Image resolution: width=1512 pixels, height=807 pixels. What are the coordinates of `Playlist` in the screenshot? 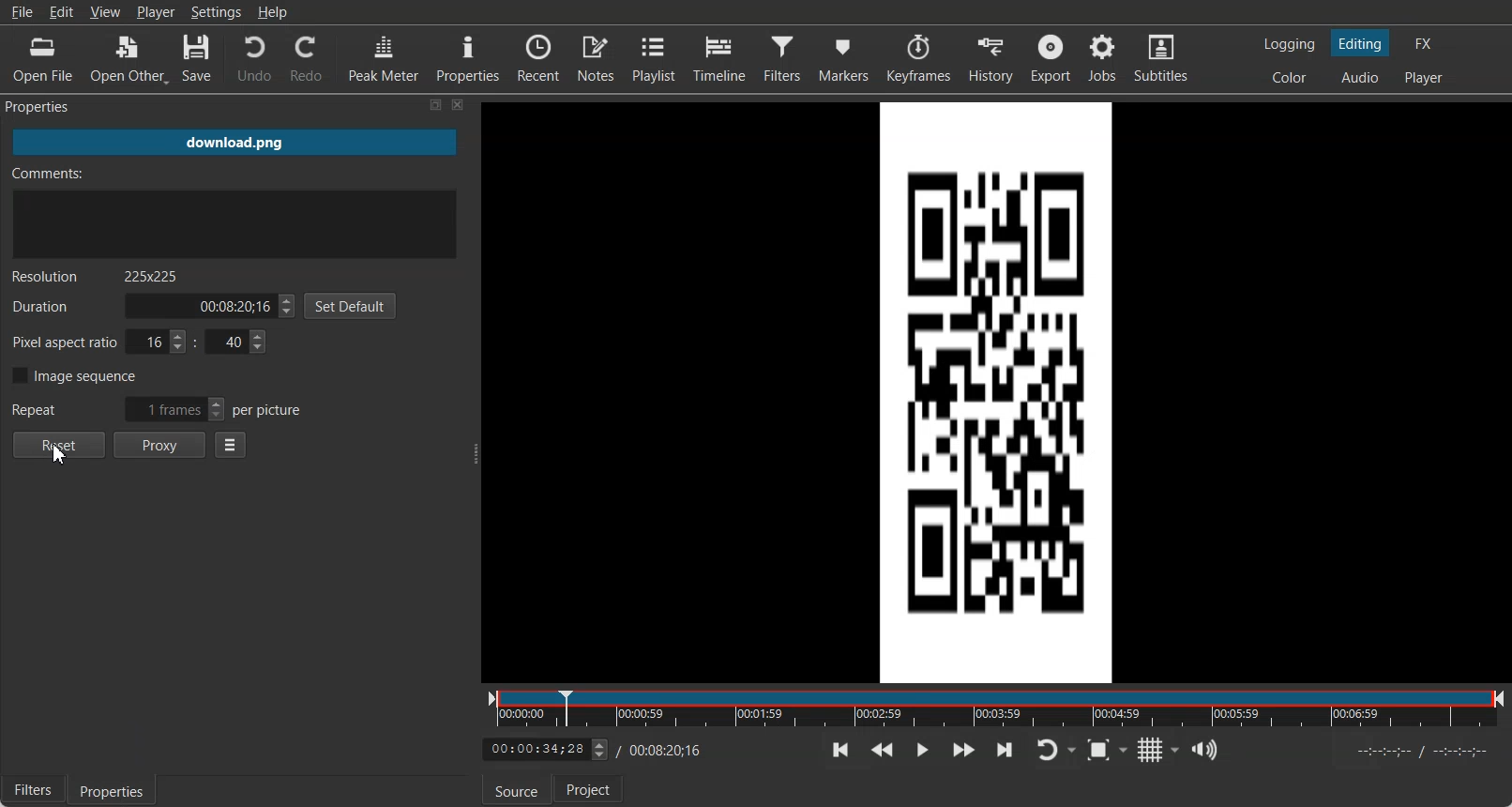 It's located at (652, 57).